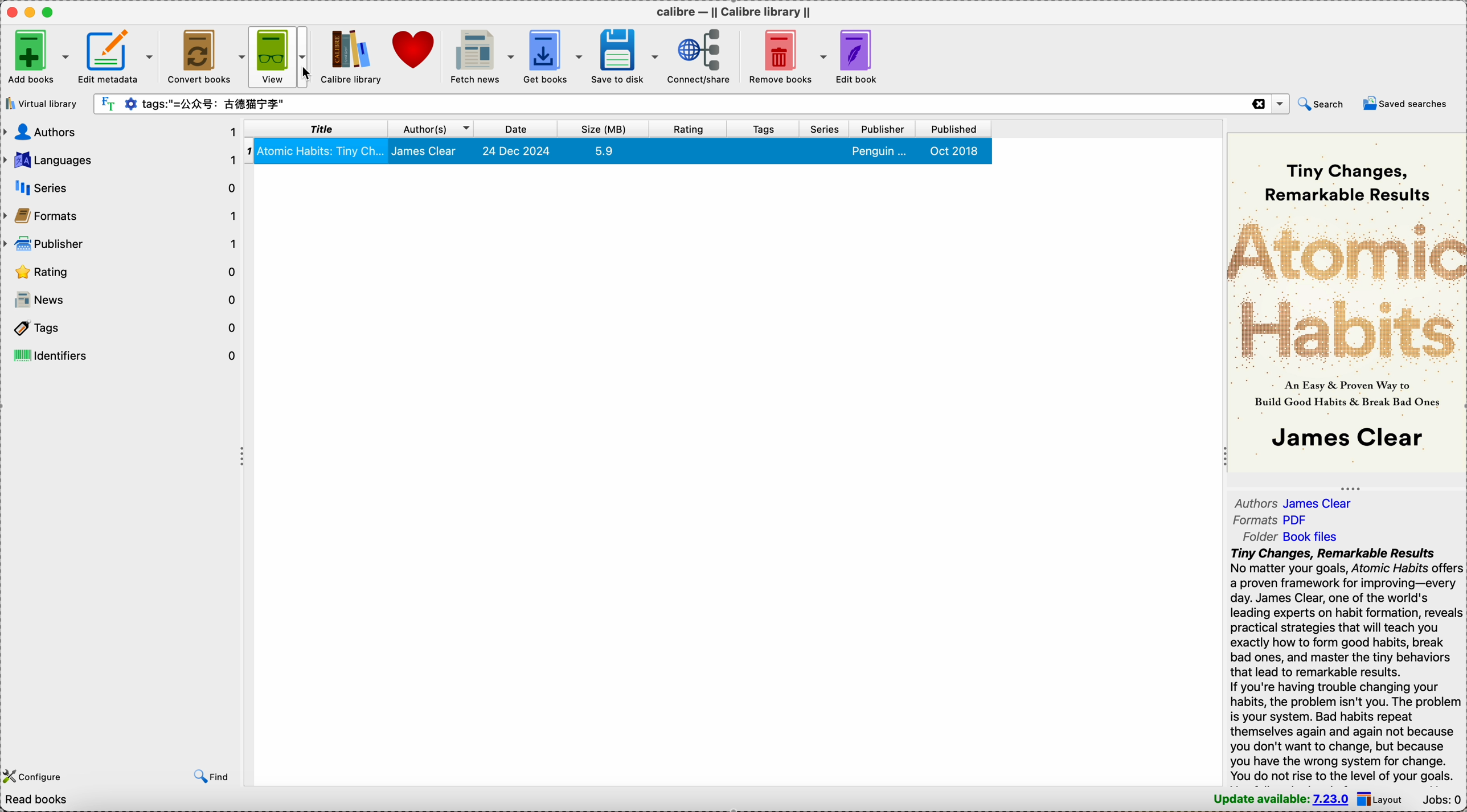 This screenshot has height=812, width=1467. I want to click on cursor, so click(311, 73).